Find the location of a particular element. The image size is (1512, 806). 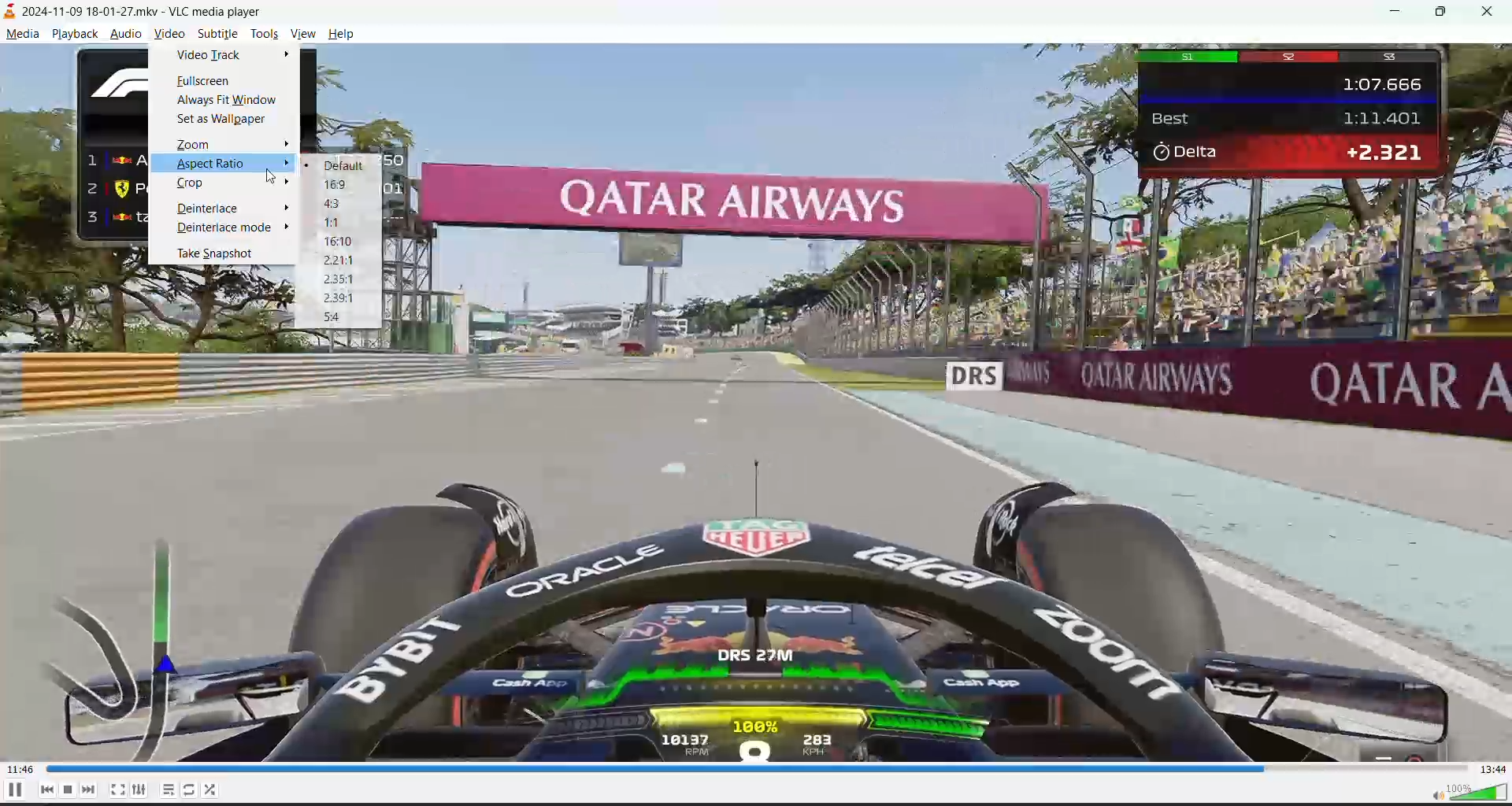

deinterlace is located at coordinates (213, 209).